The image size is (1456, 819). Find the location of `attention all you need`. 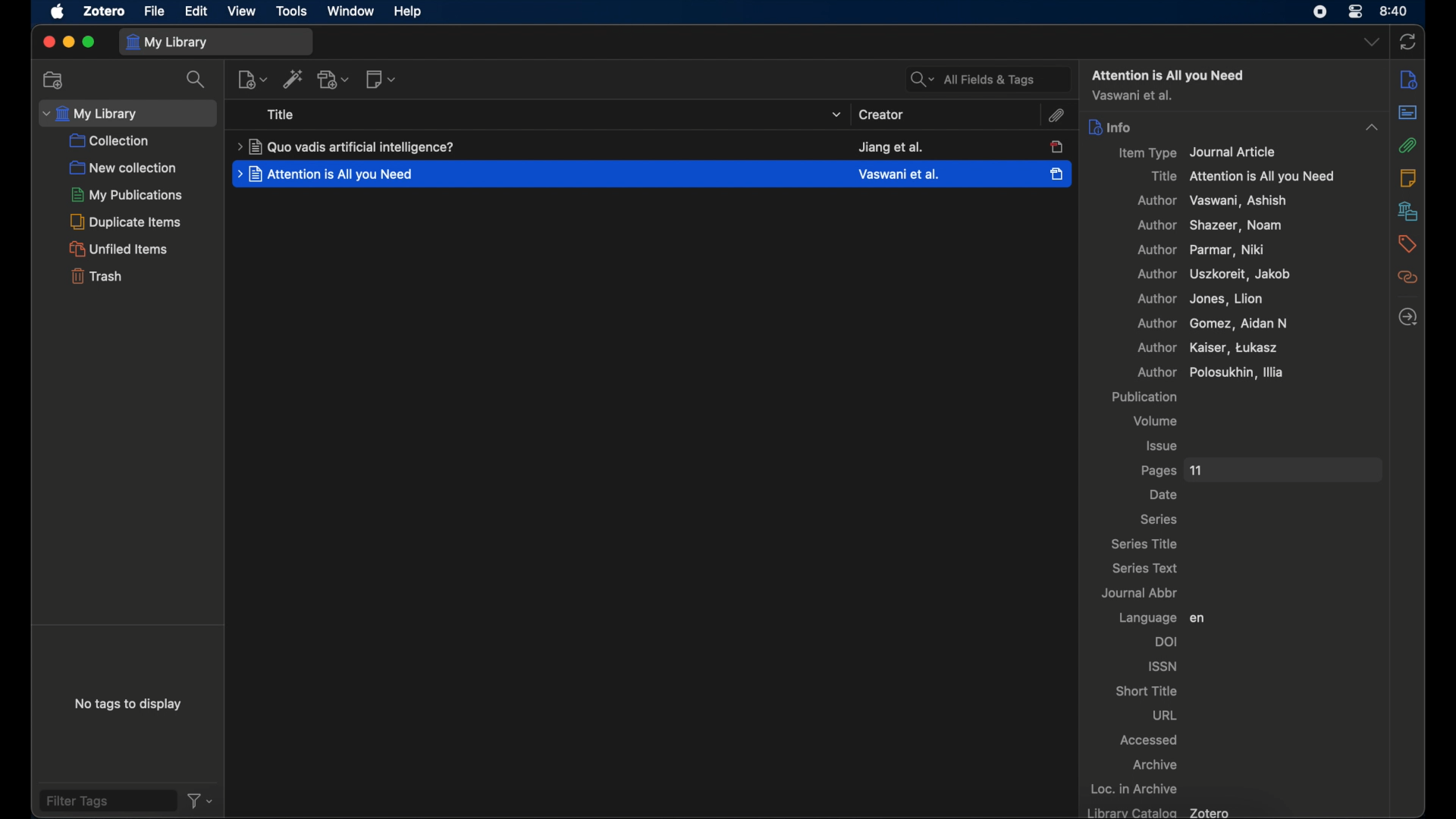

attention all you need is located at coordinates (1169, 74).